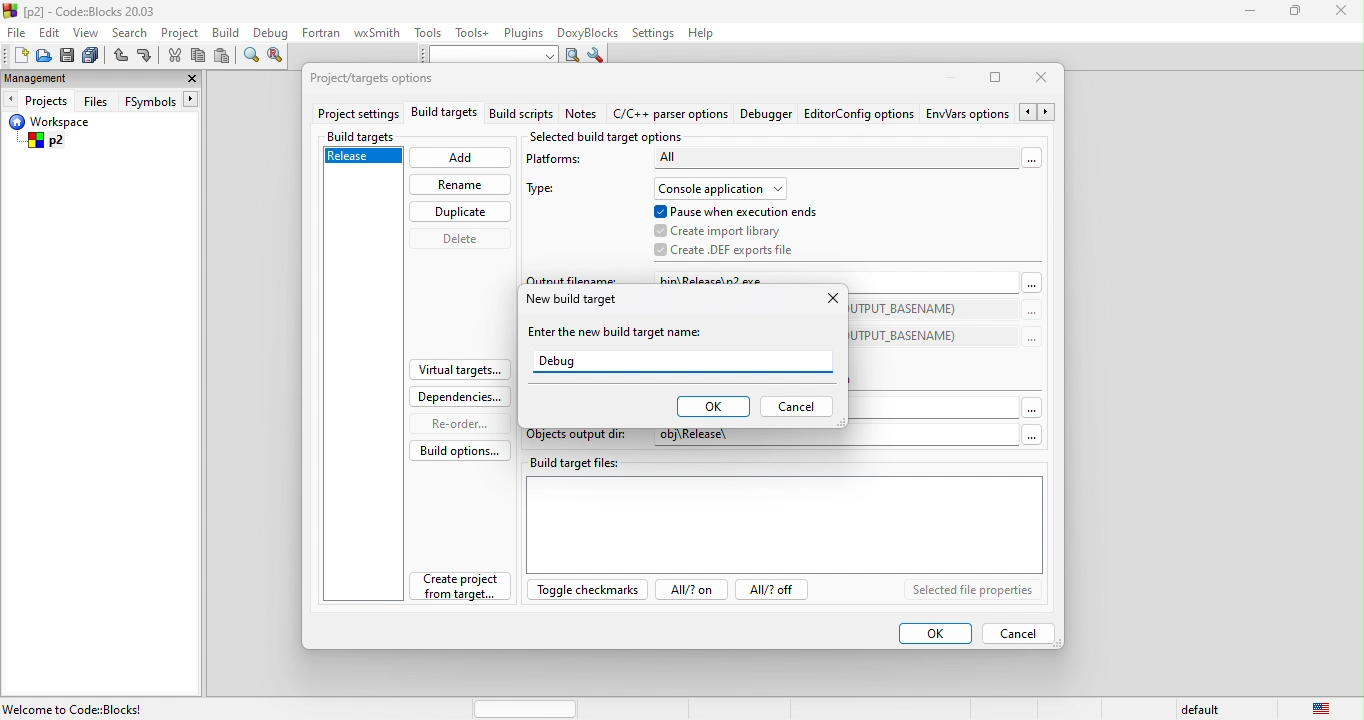  Describe the element at coordinates (1250, 13) in the screenshot. I see `minimize` at that location.